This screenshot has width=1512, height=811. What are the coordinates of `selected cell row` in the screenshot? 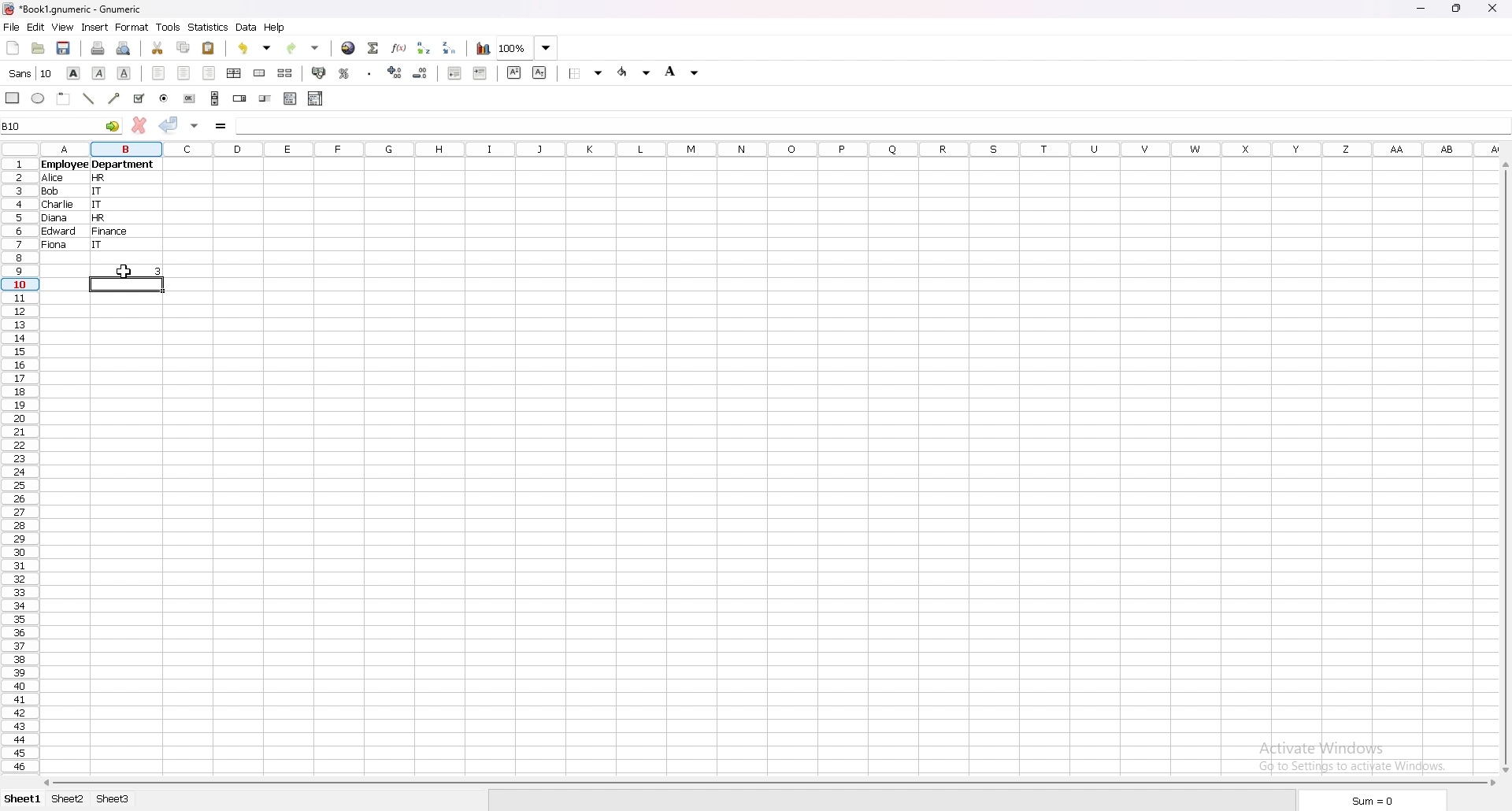 It's located at (18, 462).